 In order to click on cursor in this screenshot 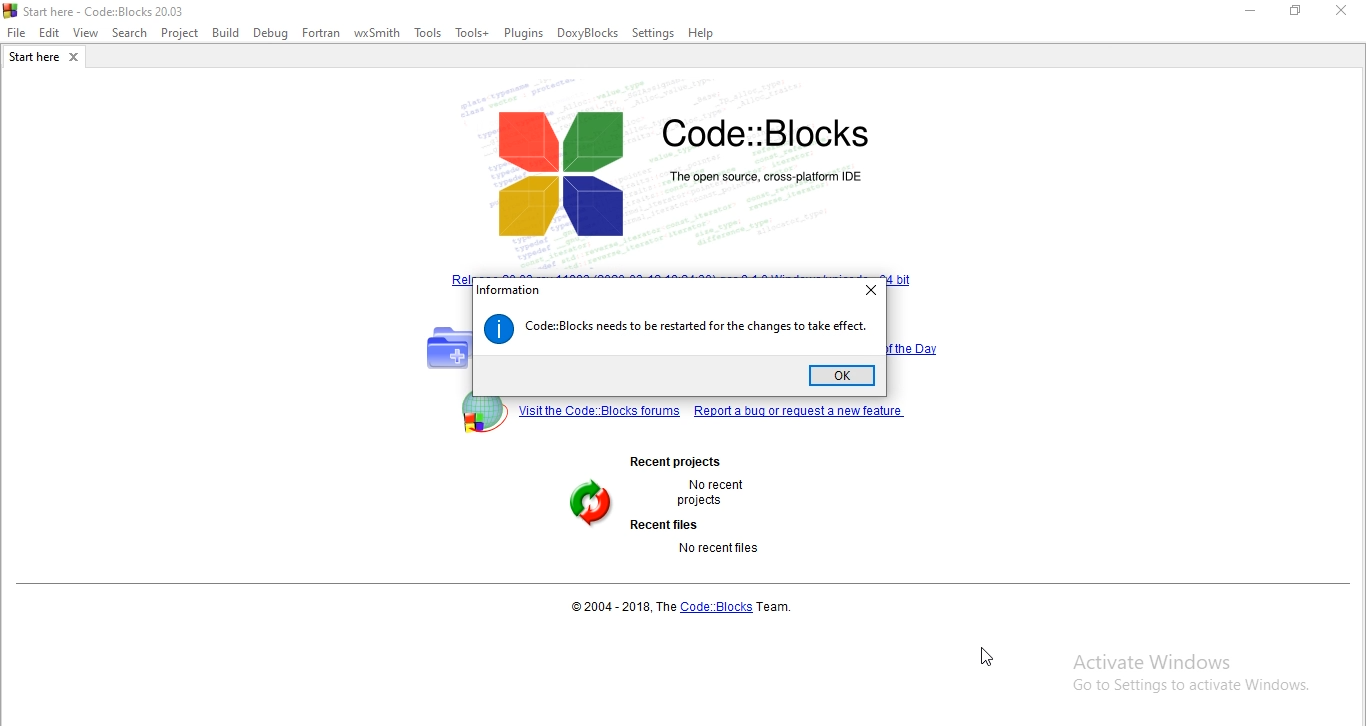, I will do `click(987, 657)`.